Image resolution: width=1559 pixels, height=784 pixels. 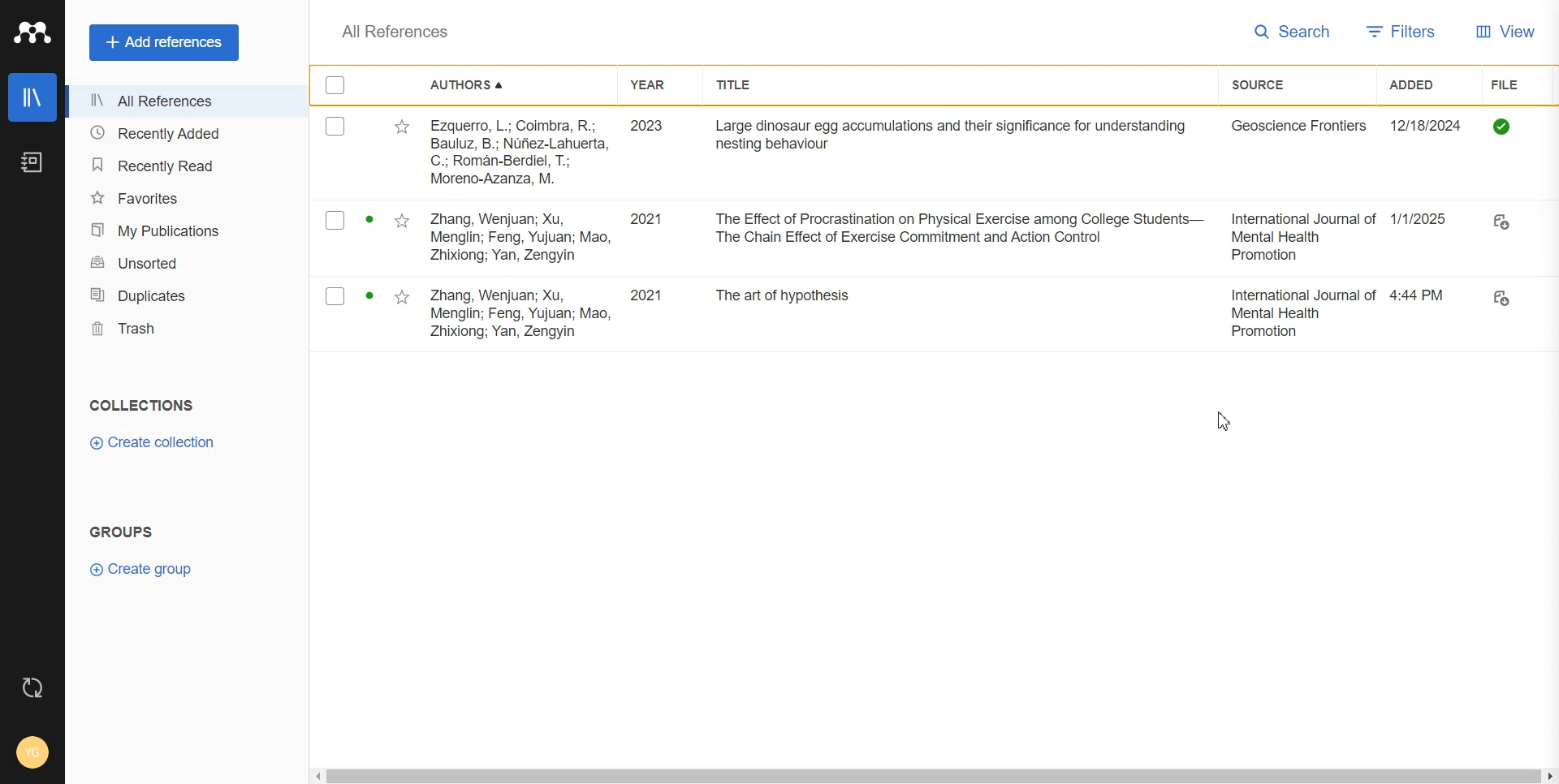 I want to click on Create collection, so click(x=159, y=442).